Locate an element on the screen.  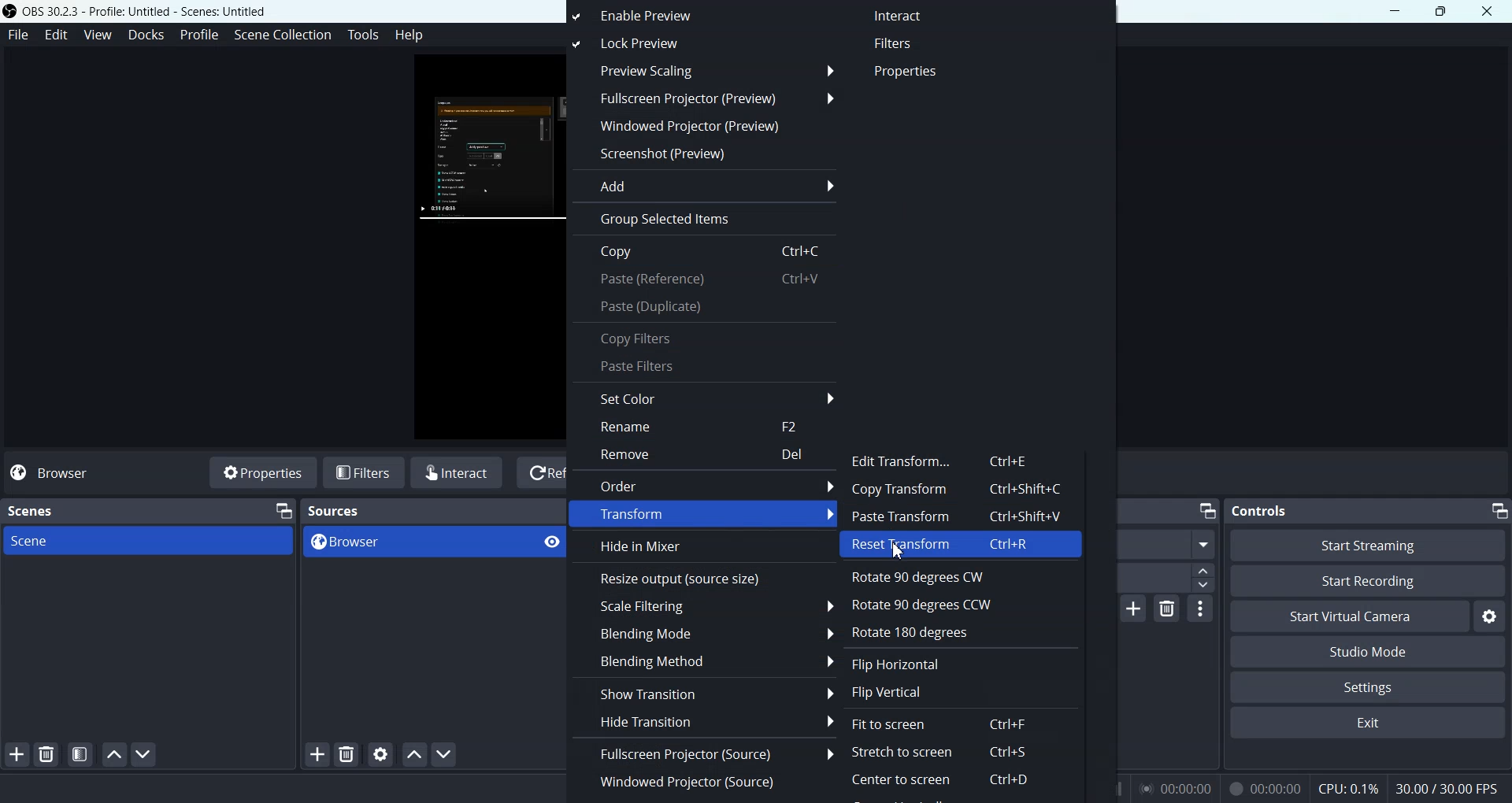
Copy is located at coordinates (705, 252).